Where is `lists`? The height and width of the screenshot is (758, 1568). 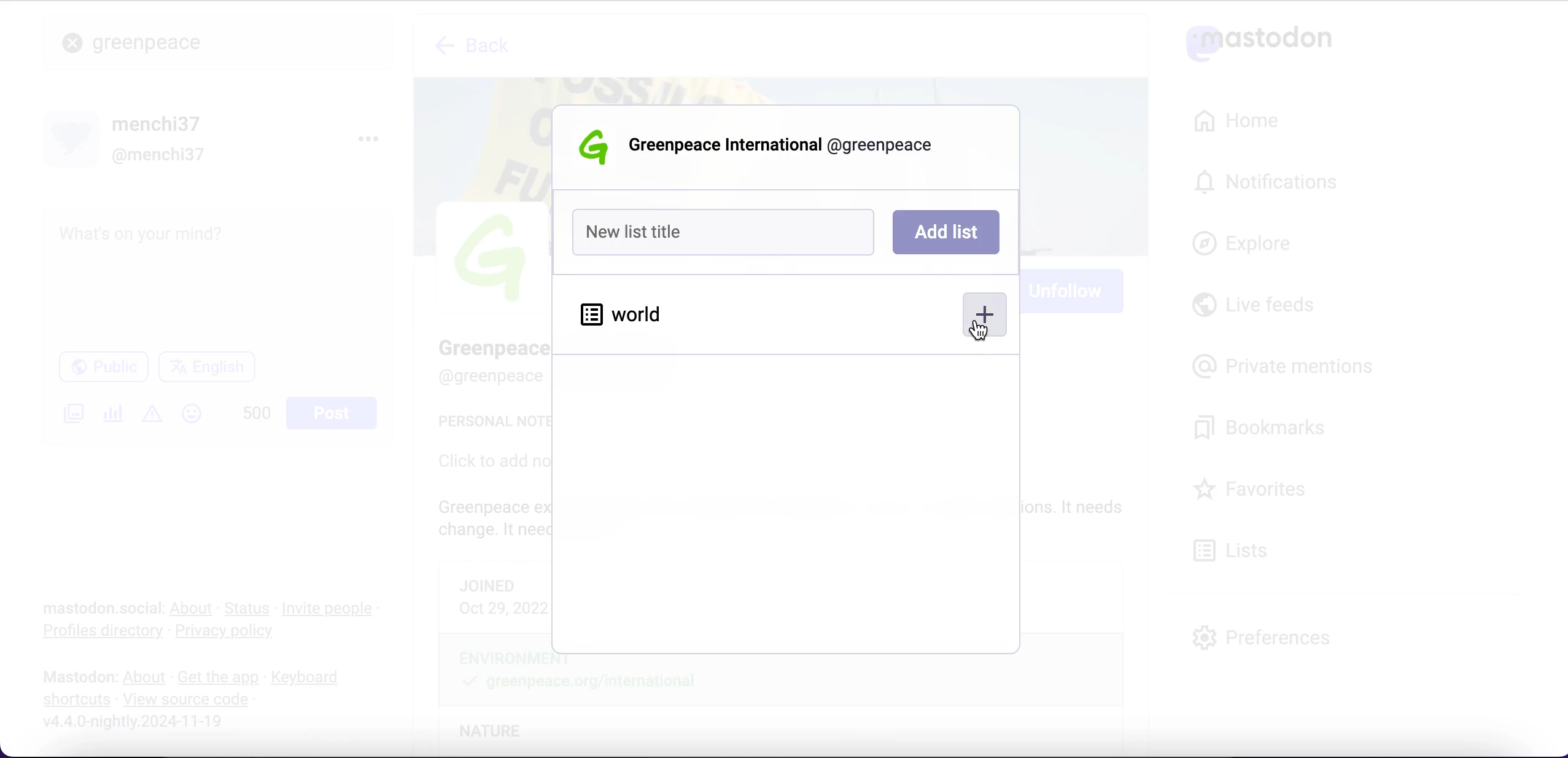
lists is located at coordinates (1238, 549).